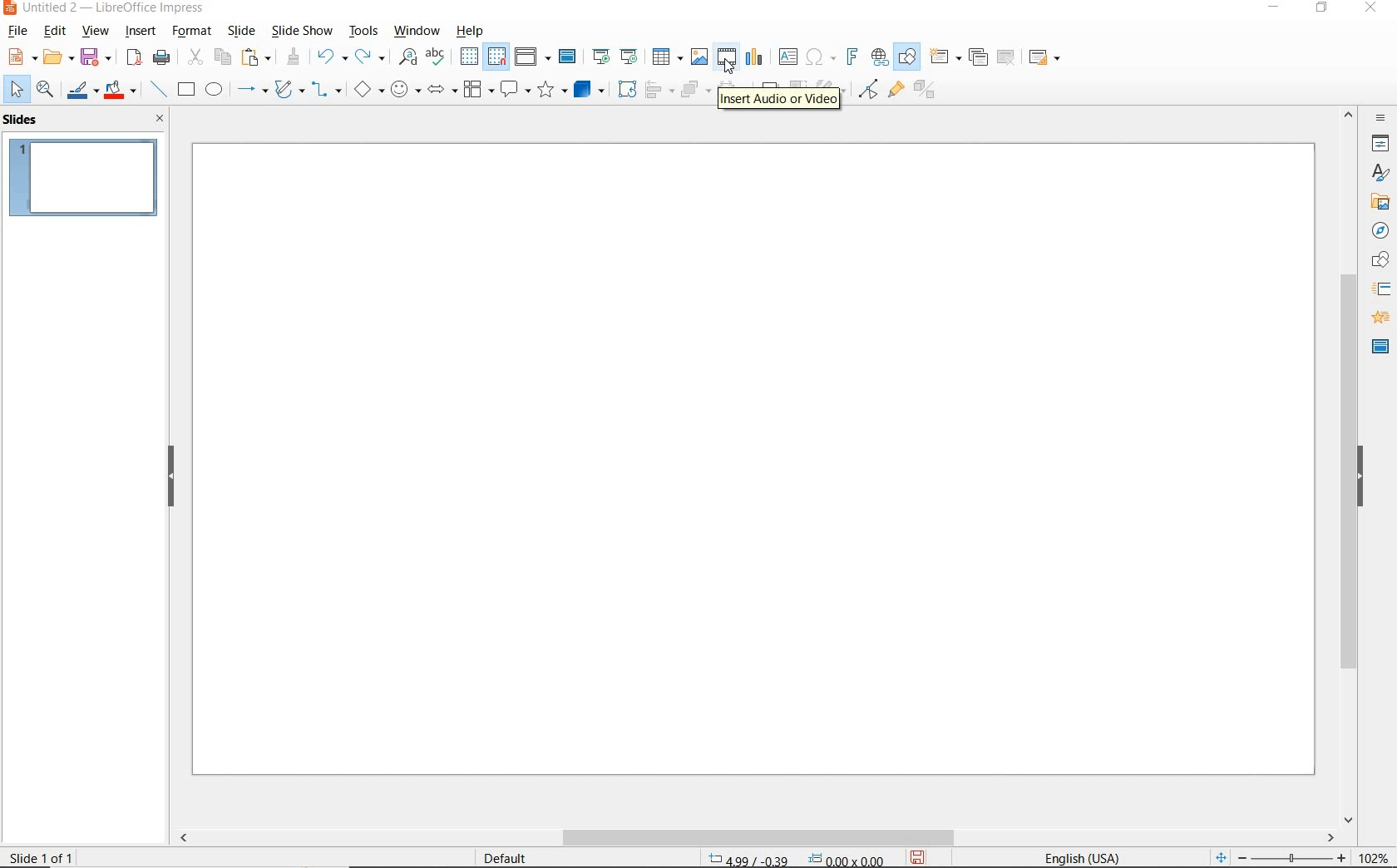 The image size is (1397, 868). Describe the element at coordinates (550, 91) in the screenshot. I see `STARS AND BANNERS` at that location.